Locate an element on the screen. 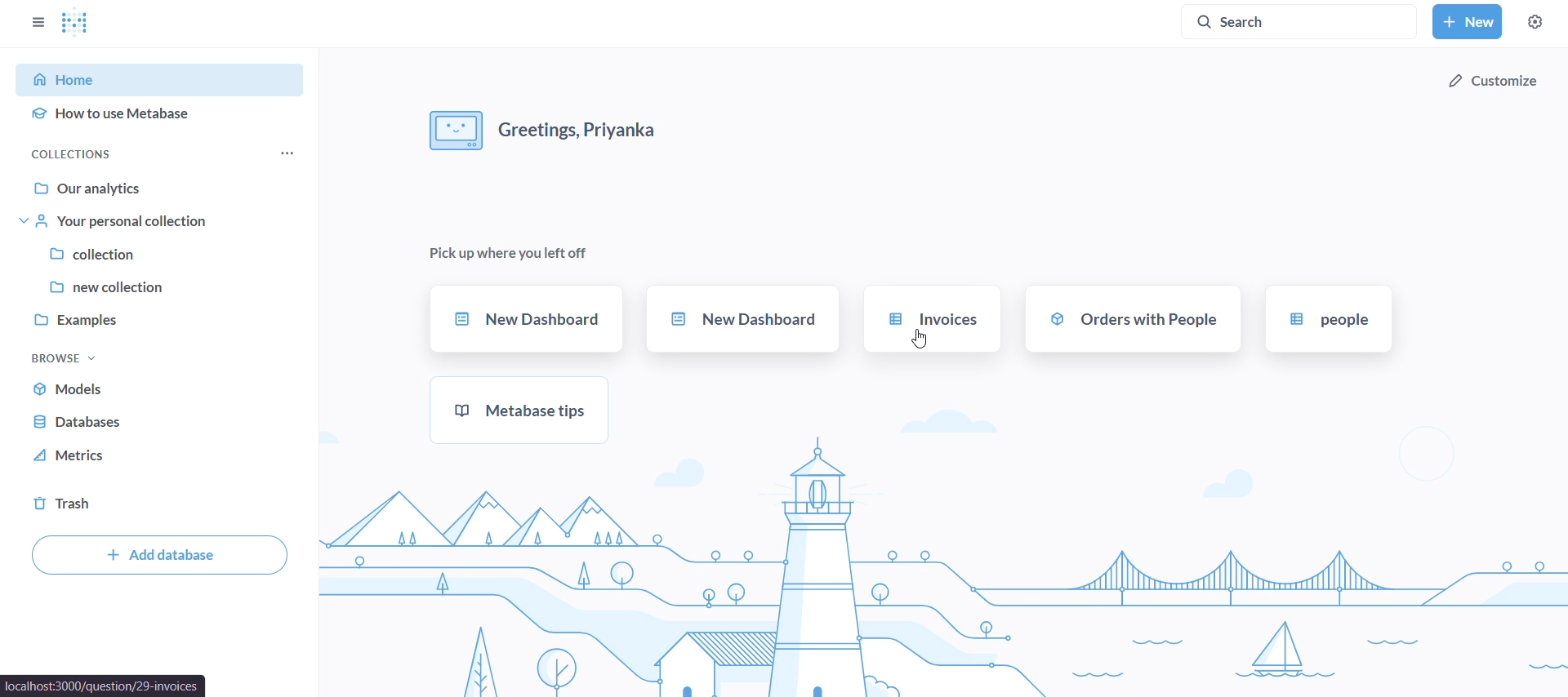 The image size is (1568, 697). models is located at coordinates (69, 391).